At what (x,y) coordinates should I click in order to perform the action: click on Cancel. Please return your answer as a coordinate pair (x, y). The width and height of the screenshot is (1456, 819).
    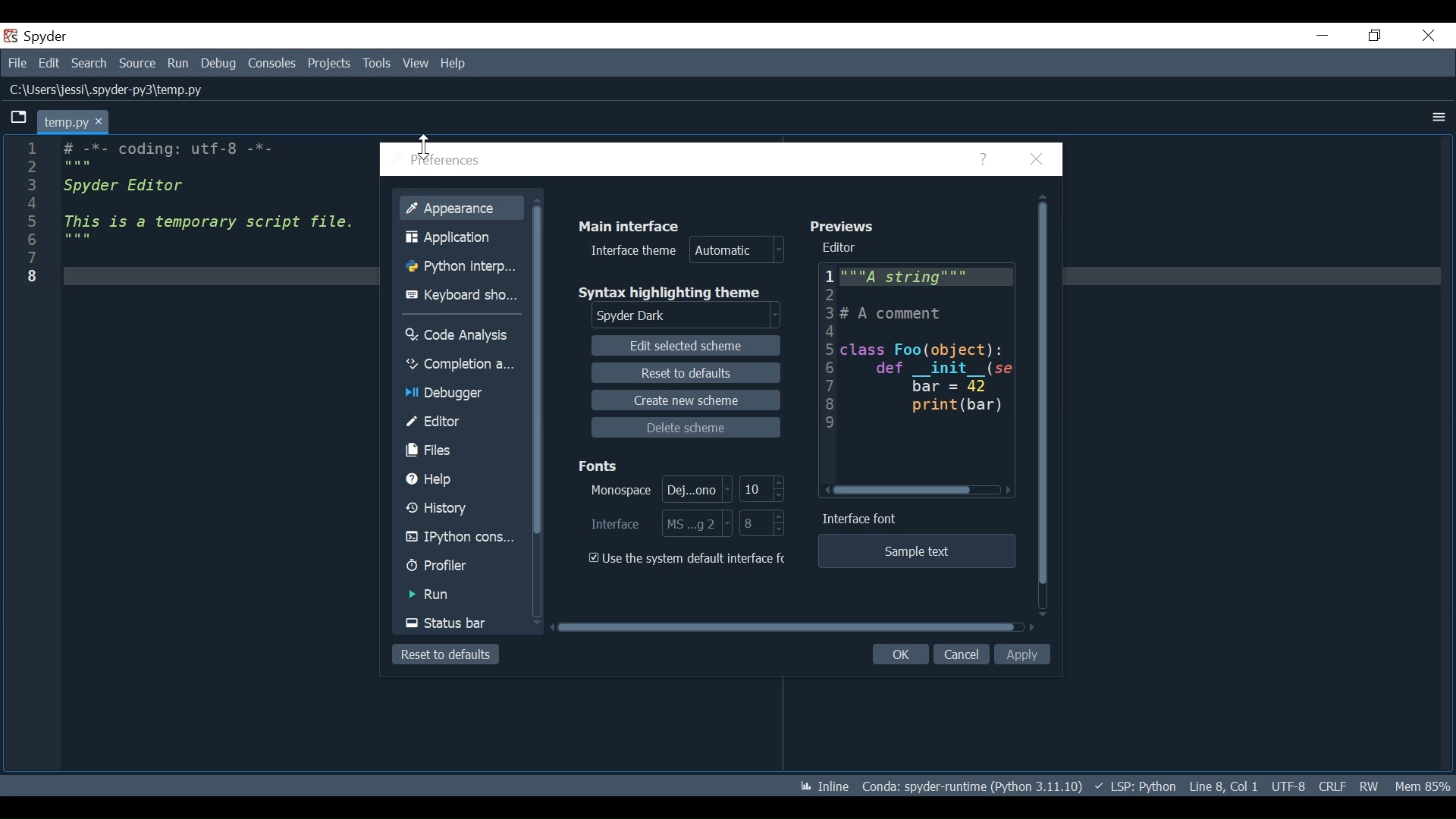
    Looking at the image, I should click on (962, 654).